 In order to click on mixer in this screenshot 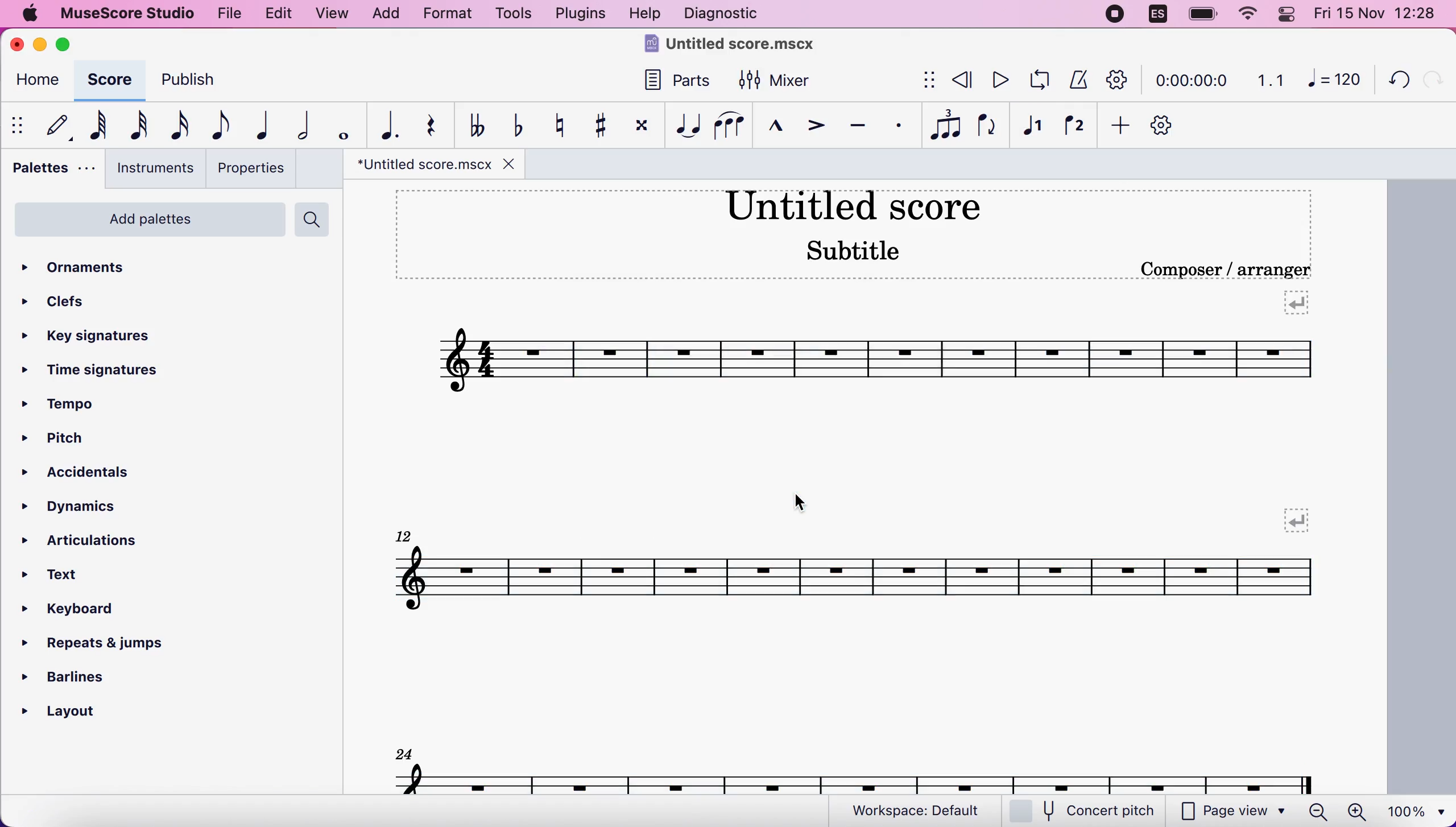, I will do `click(775, 81)`.